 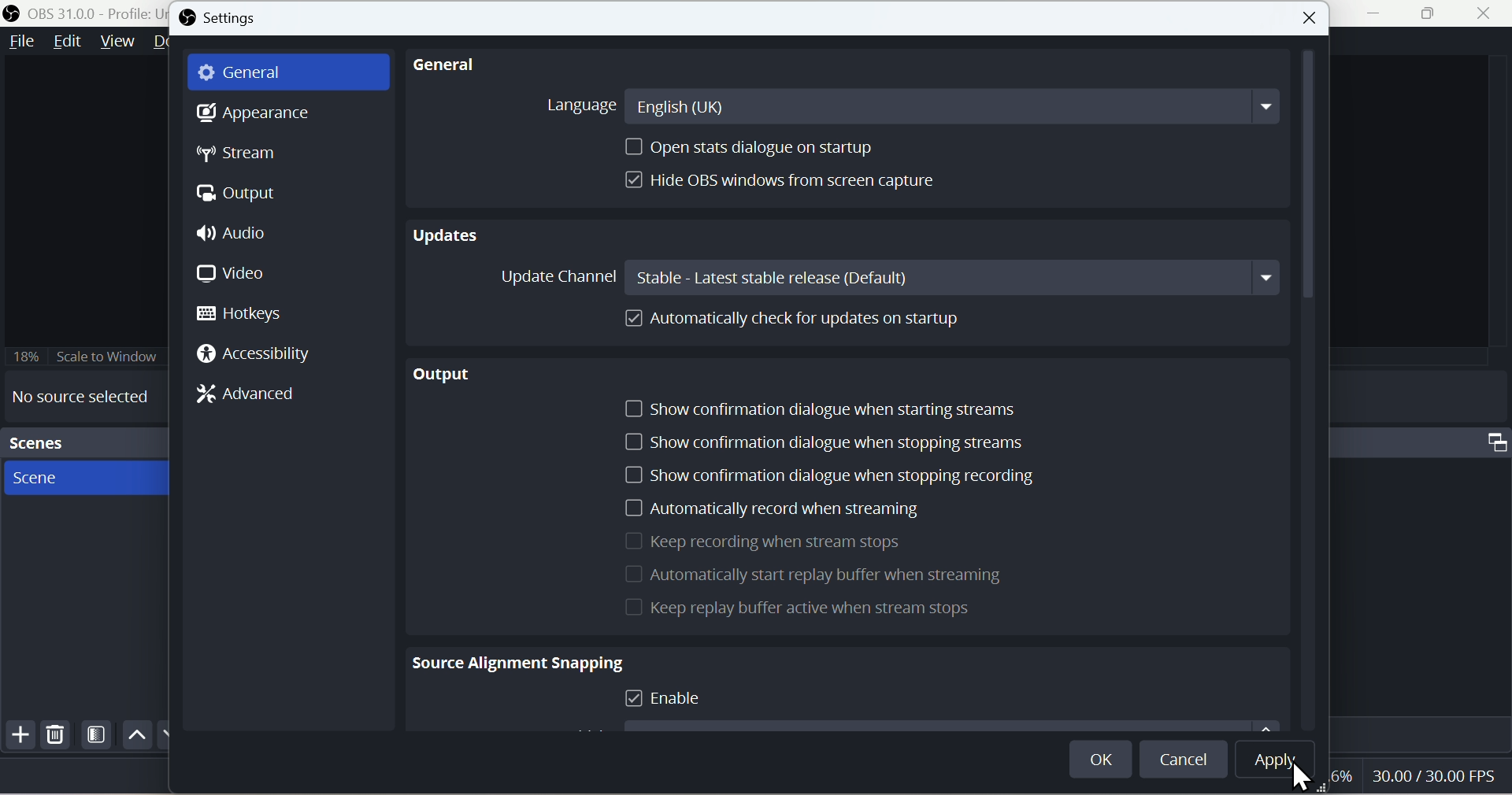 What do you see at coordinates (556, 275) in the screenshot?
I see `Update Channel` at bounding box center [556, 275].